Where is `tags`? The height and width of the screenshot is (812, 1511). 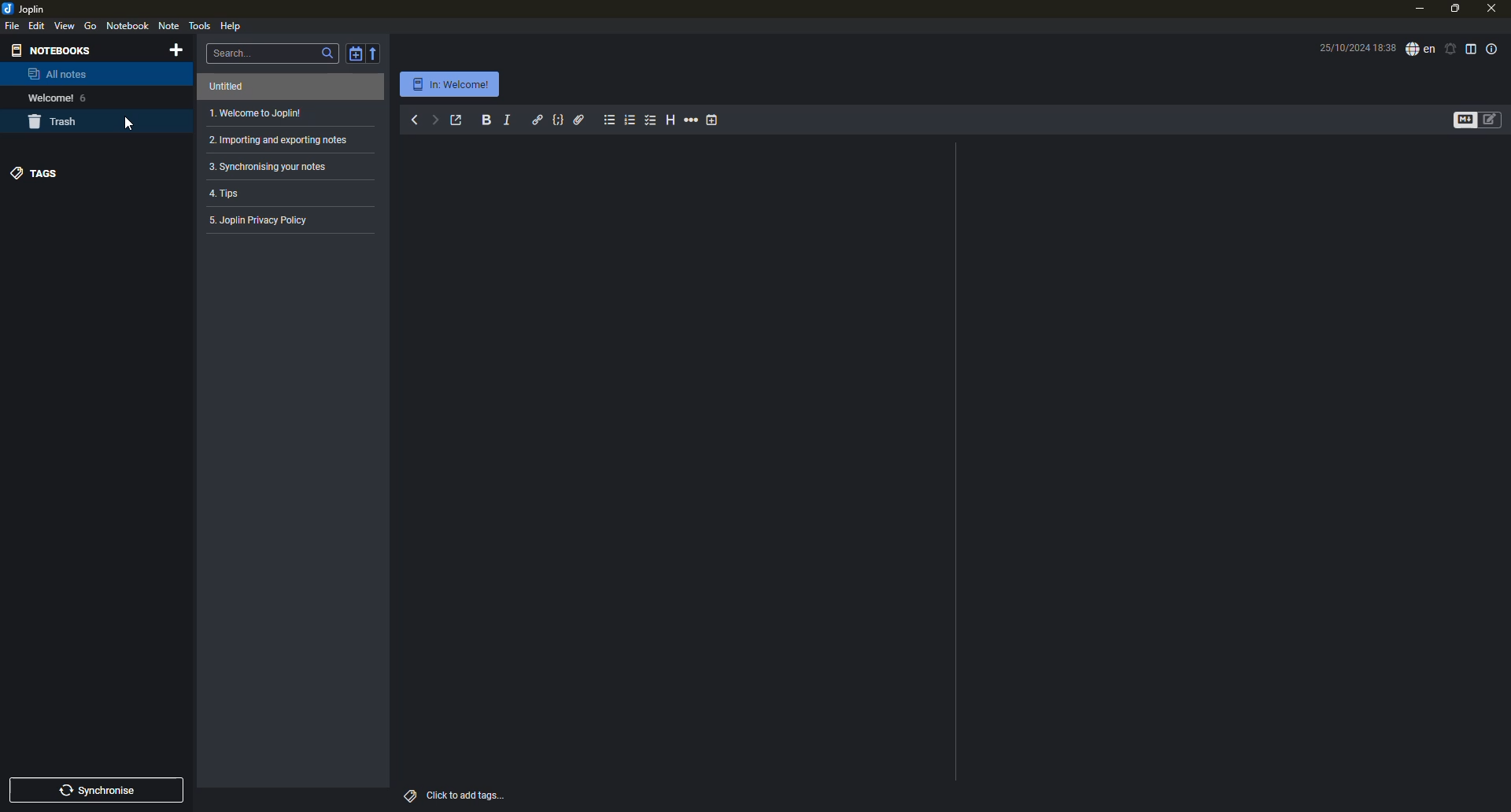 tags is located at coordinates (408, 795).